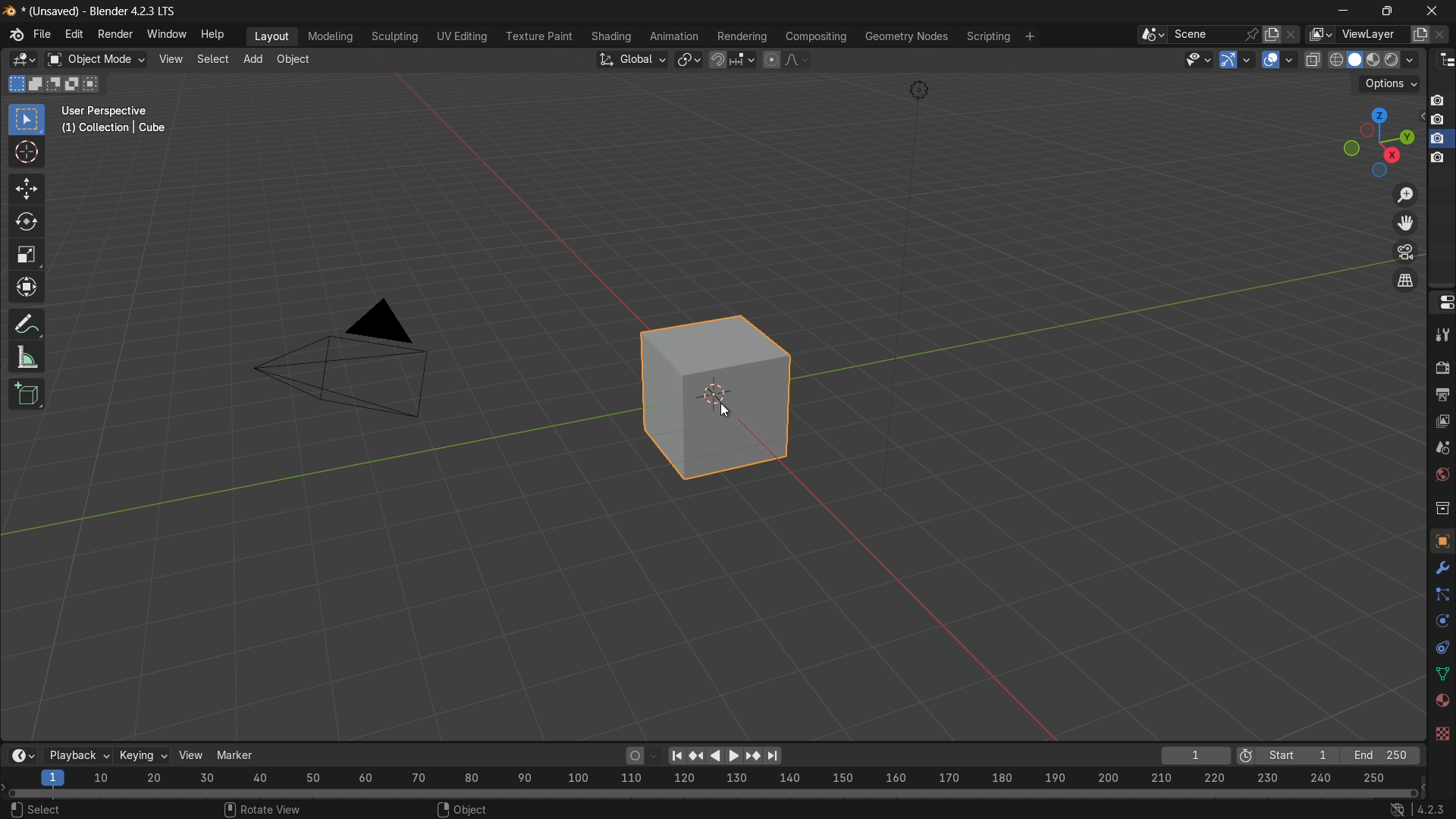  What do you see at coordinates (1441, 623) in the screenshot?
I see `physics` at bounding box center [1441, 623].